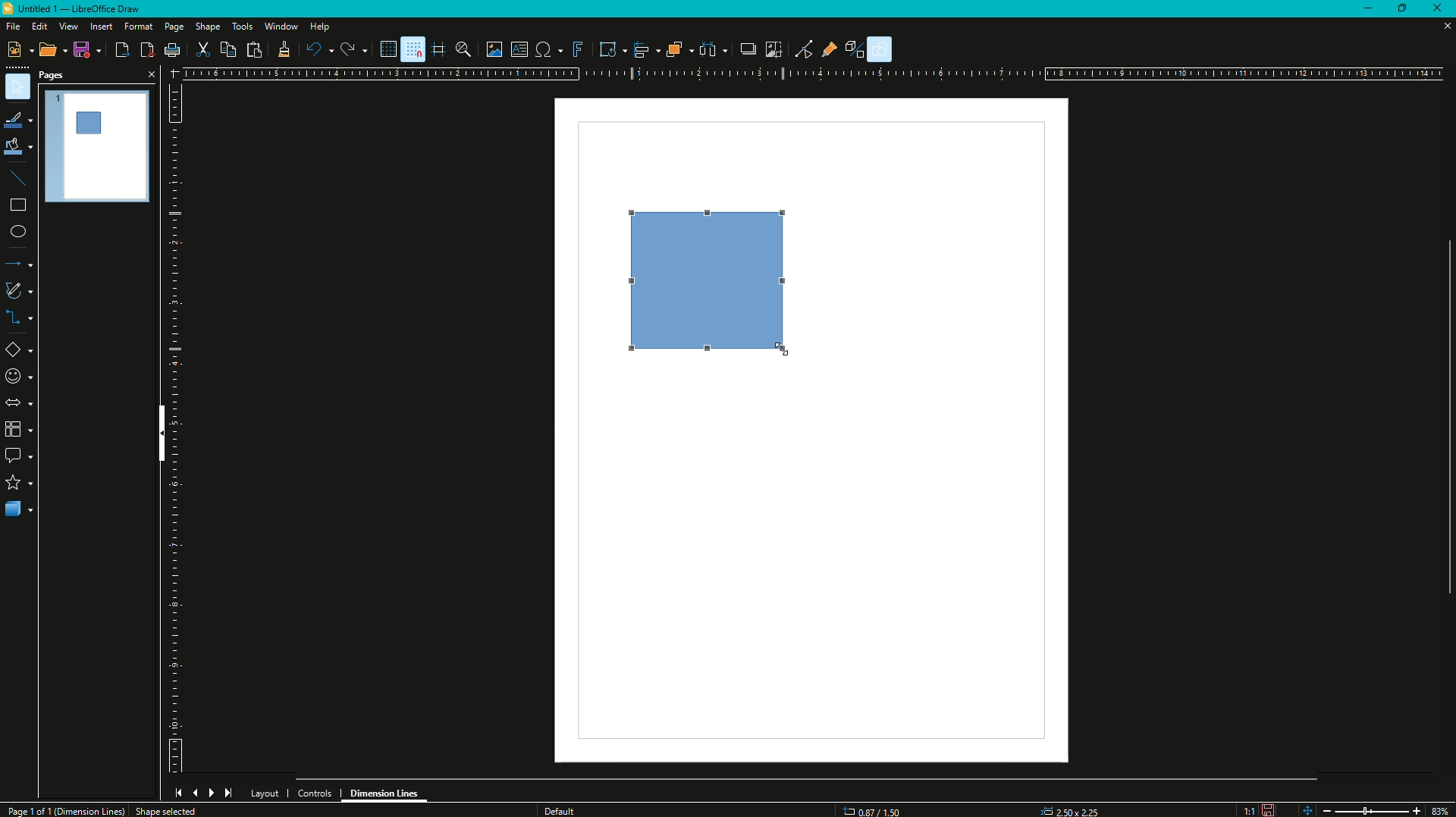  I want to click on Help, so click(320, 28).